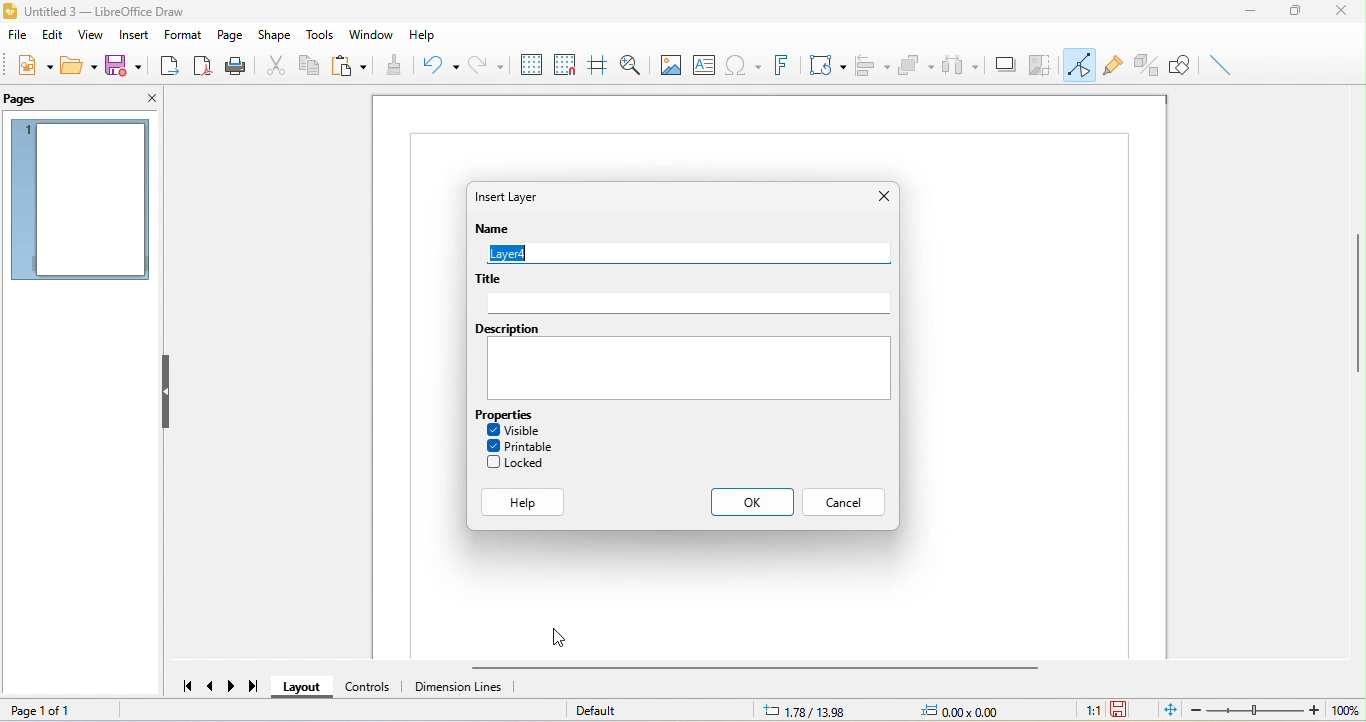 The height and width of the screenshot is (722, 1366). I want to click on control, so click(369, 687).